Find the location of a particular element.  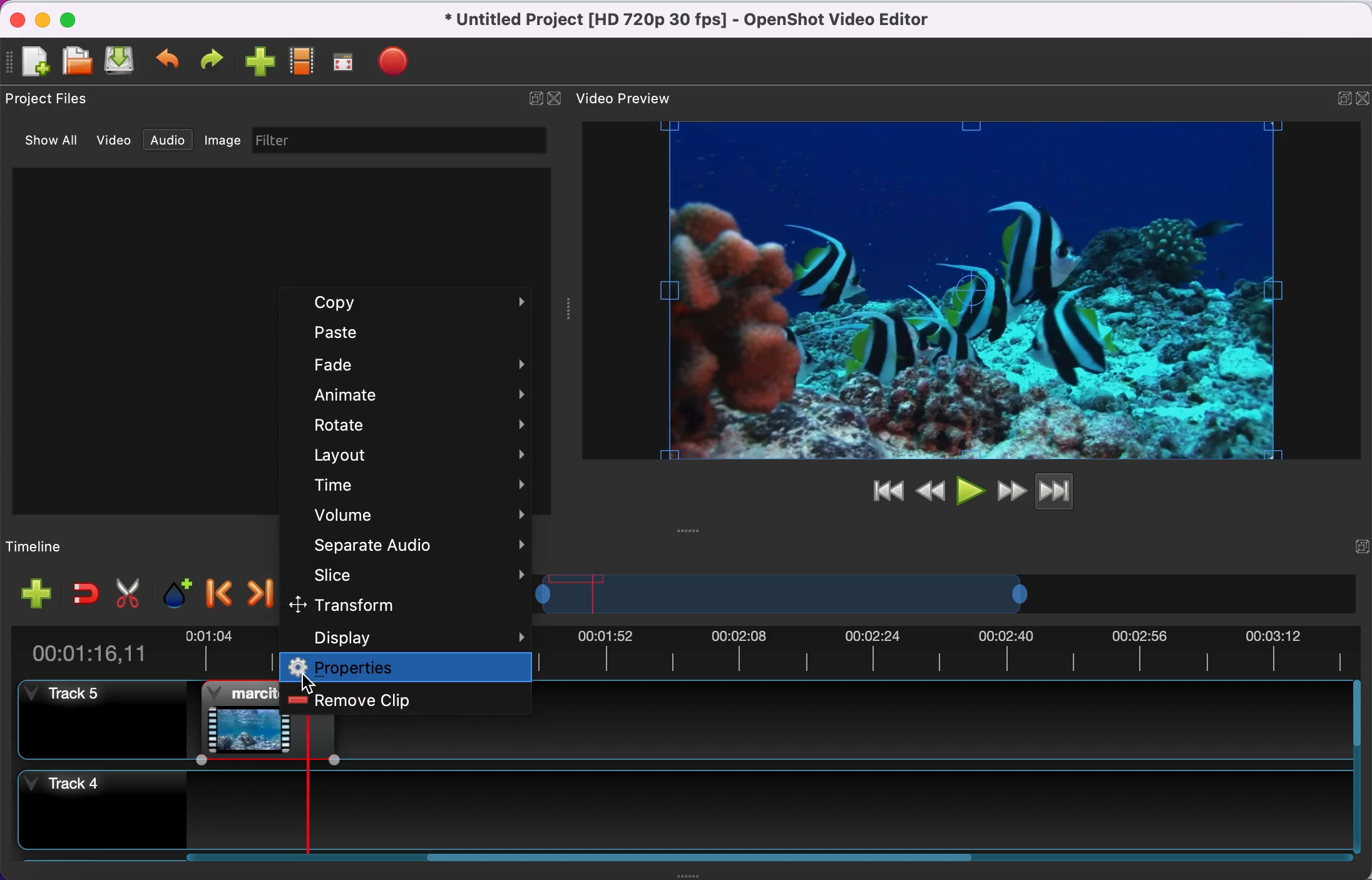

open file is located at coordinates (76, 61).